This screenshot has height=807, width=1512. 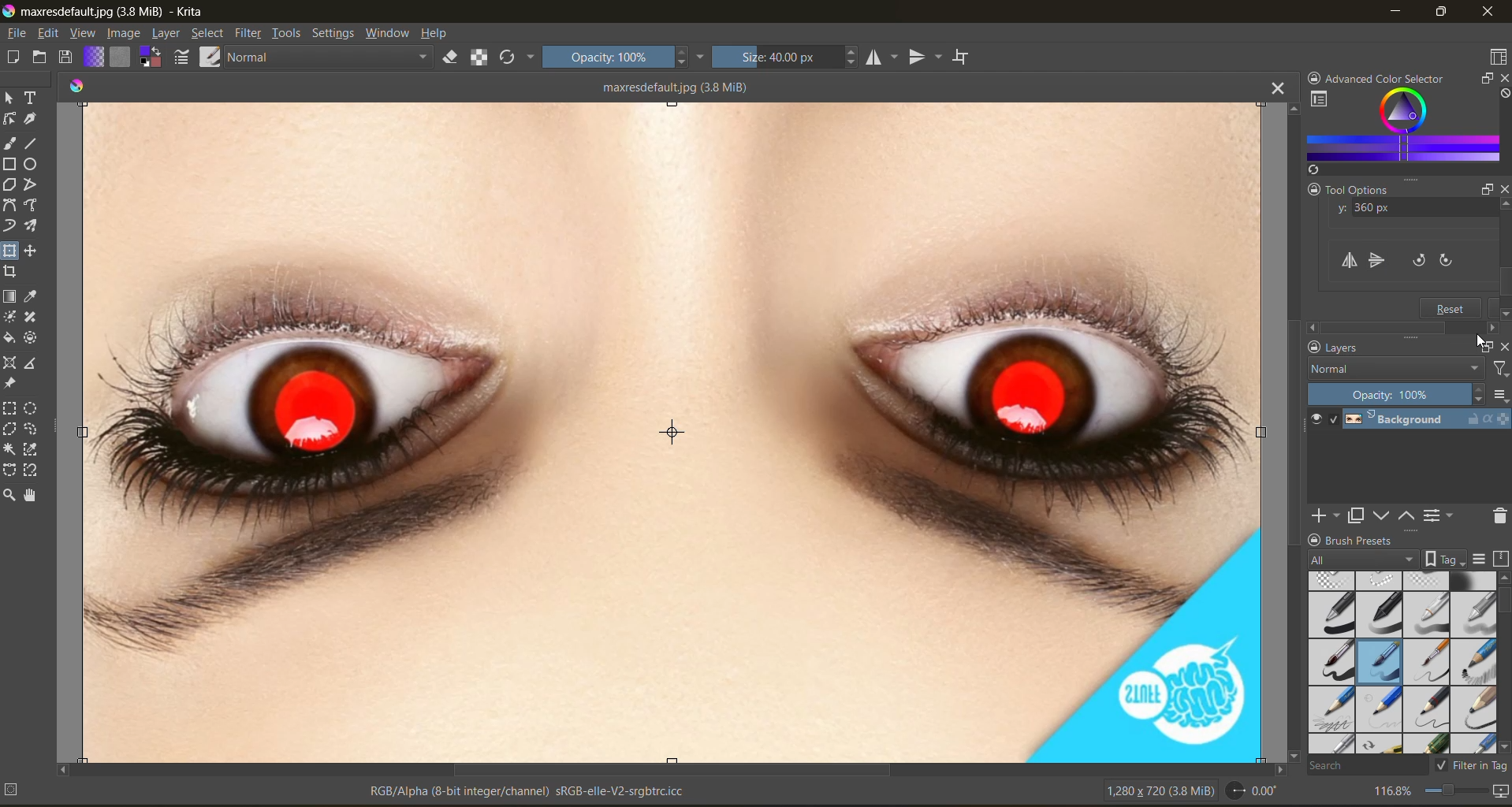 I want to click on tool, so click(x=13, y=272).